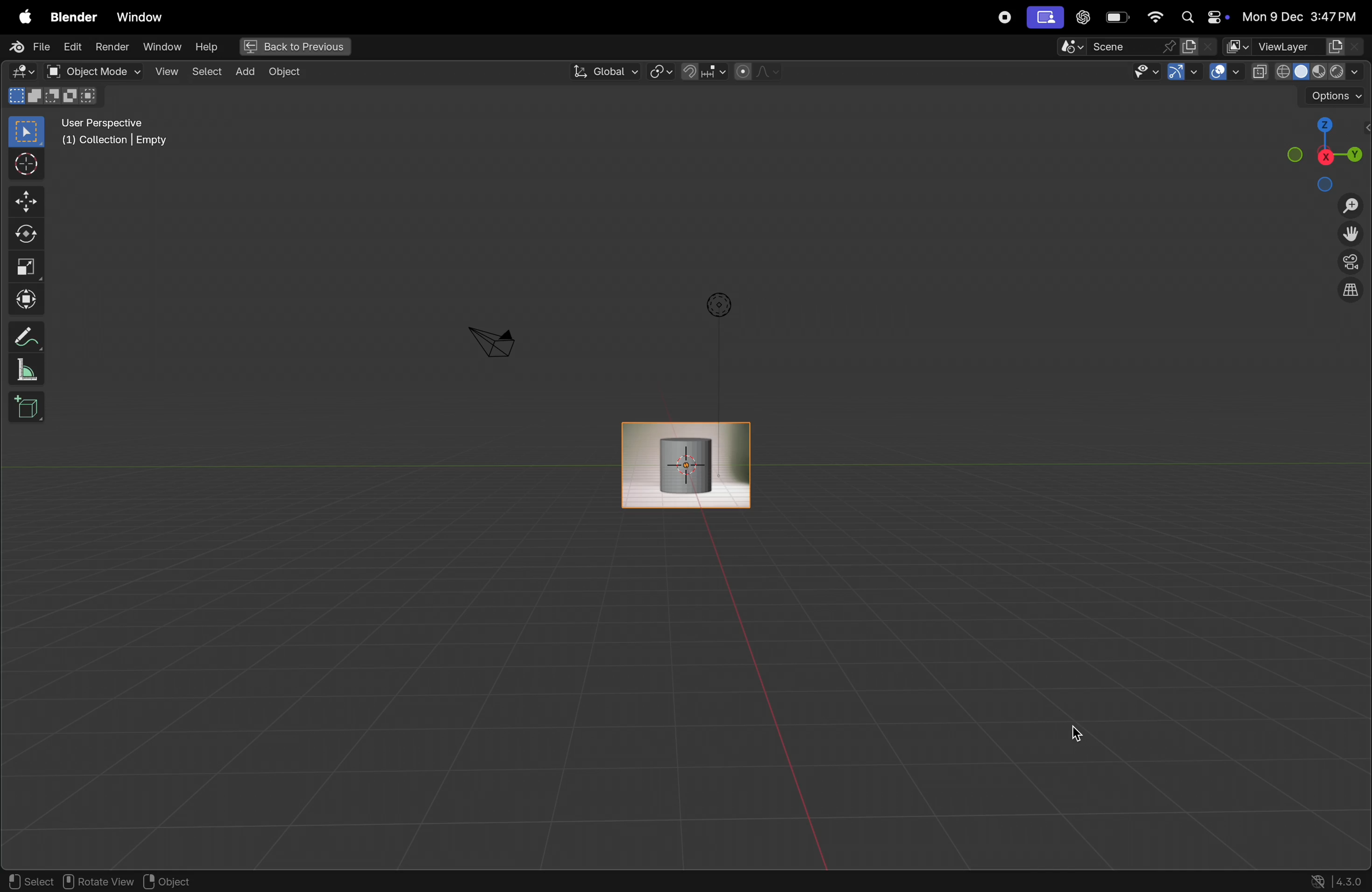 Image resolution: width=1372 pixels, height=892 pixels. What do you see at coordinates (24, 337) in the screenshot?
I see `annotate` at bounding box center [24, 337].